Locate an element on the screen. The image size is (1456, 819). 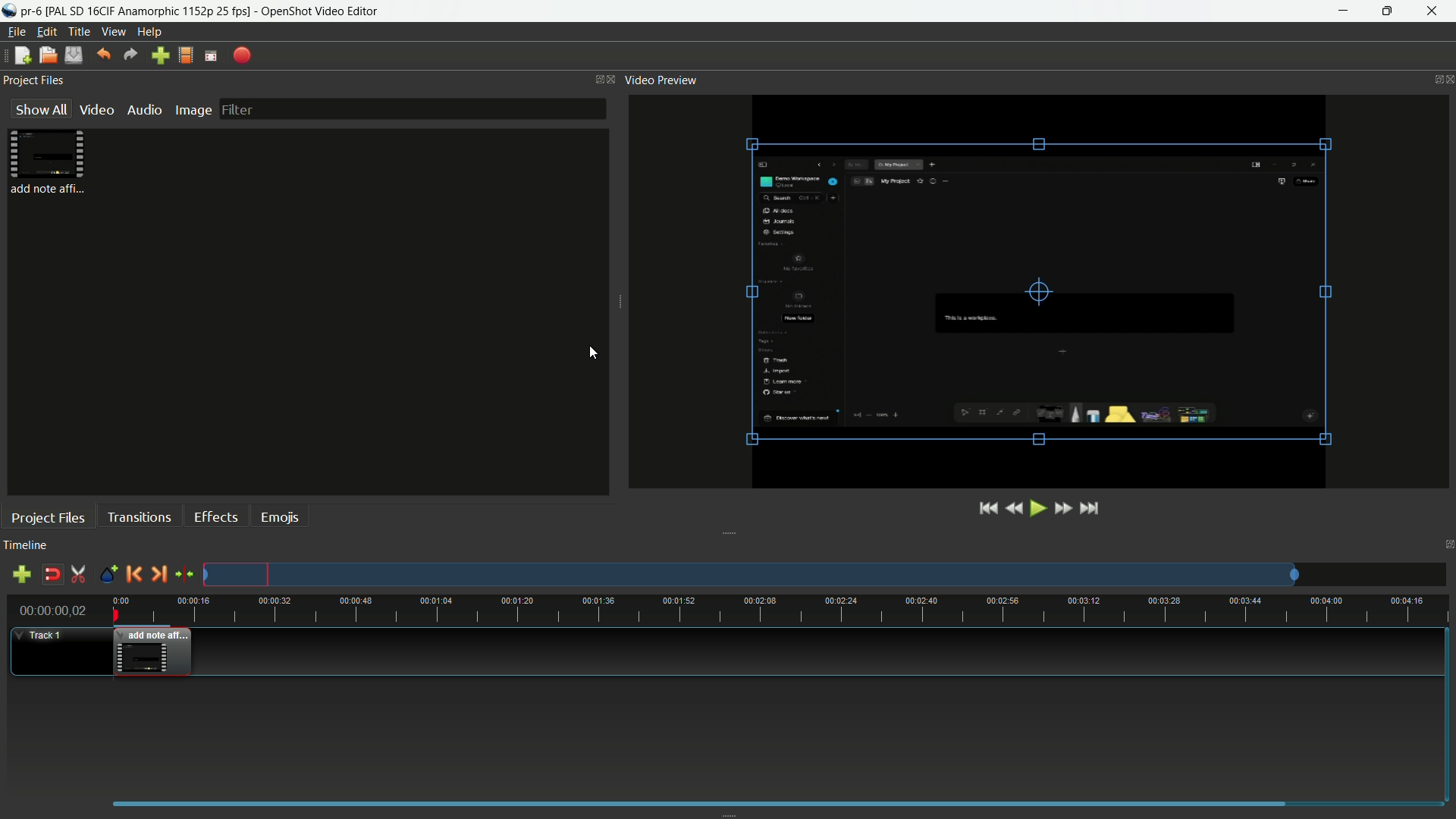
change layout is located at coordinates (1447, 544).